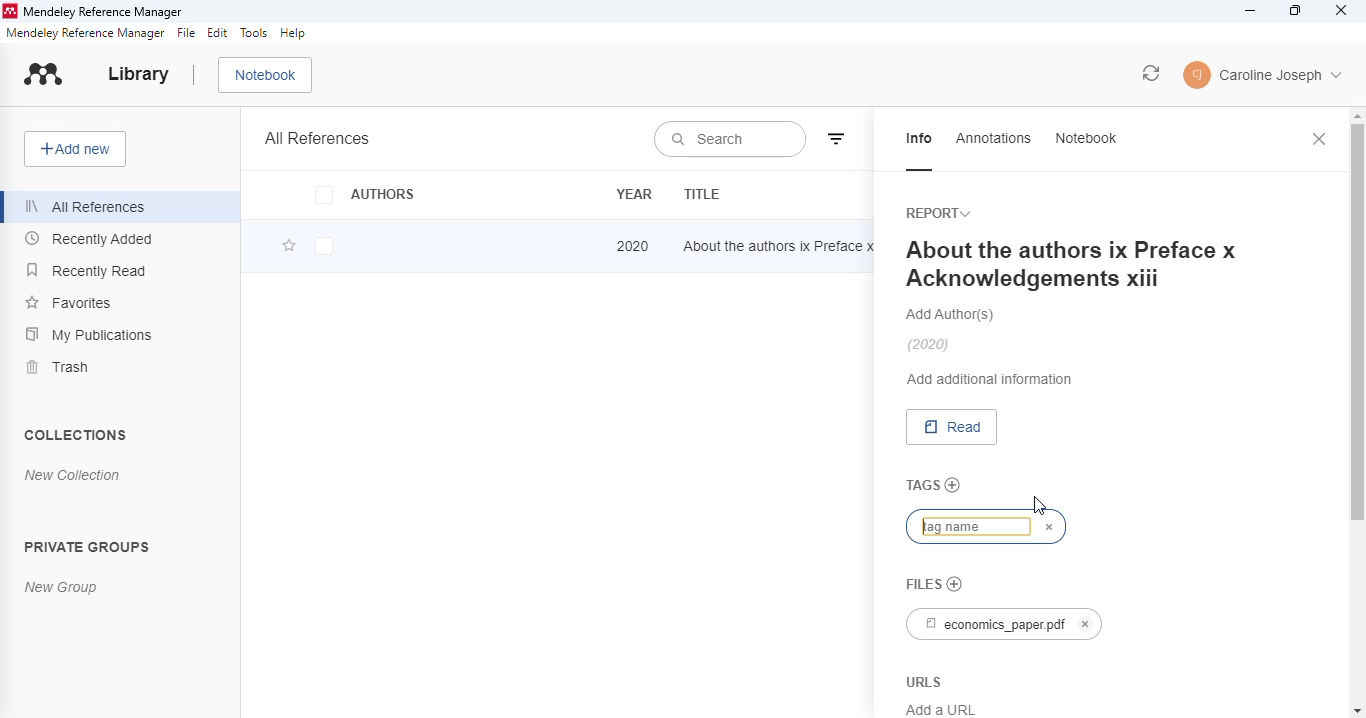 Image resolution: width=1366 pixels, height=718 pixels. What do you see at coordinates (1297, 11) in the screenshot?
I see `maximize` at bounding box center [1297, 11].